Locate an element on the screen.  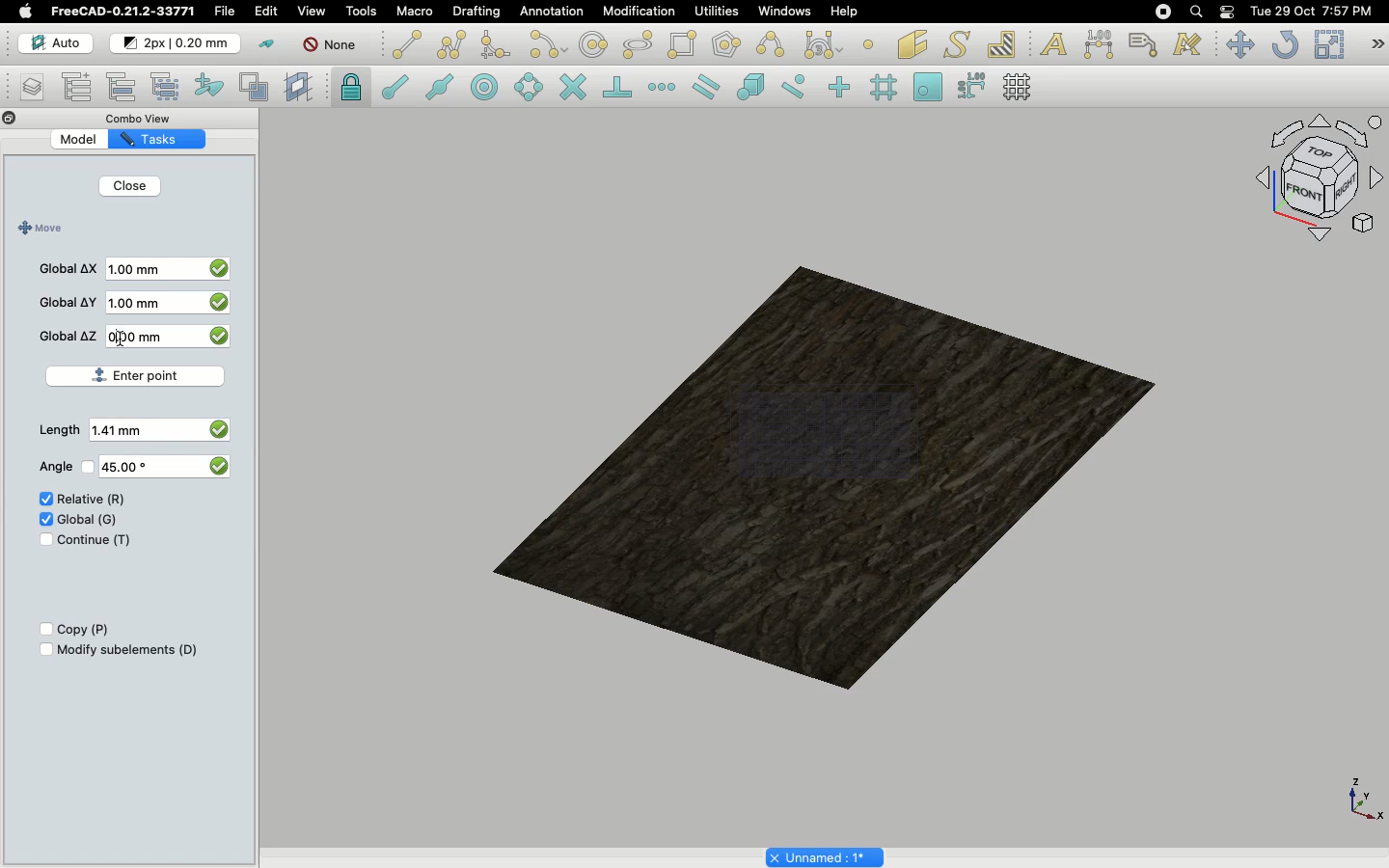
File is located at coordinates (225, 12).